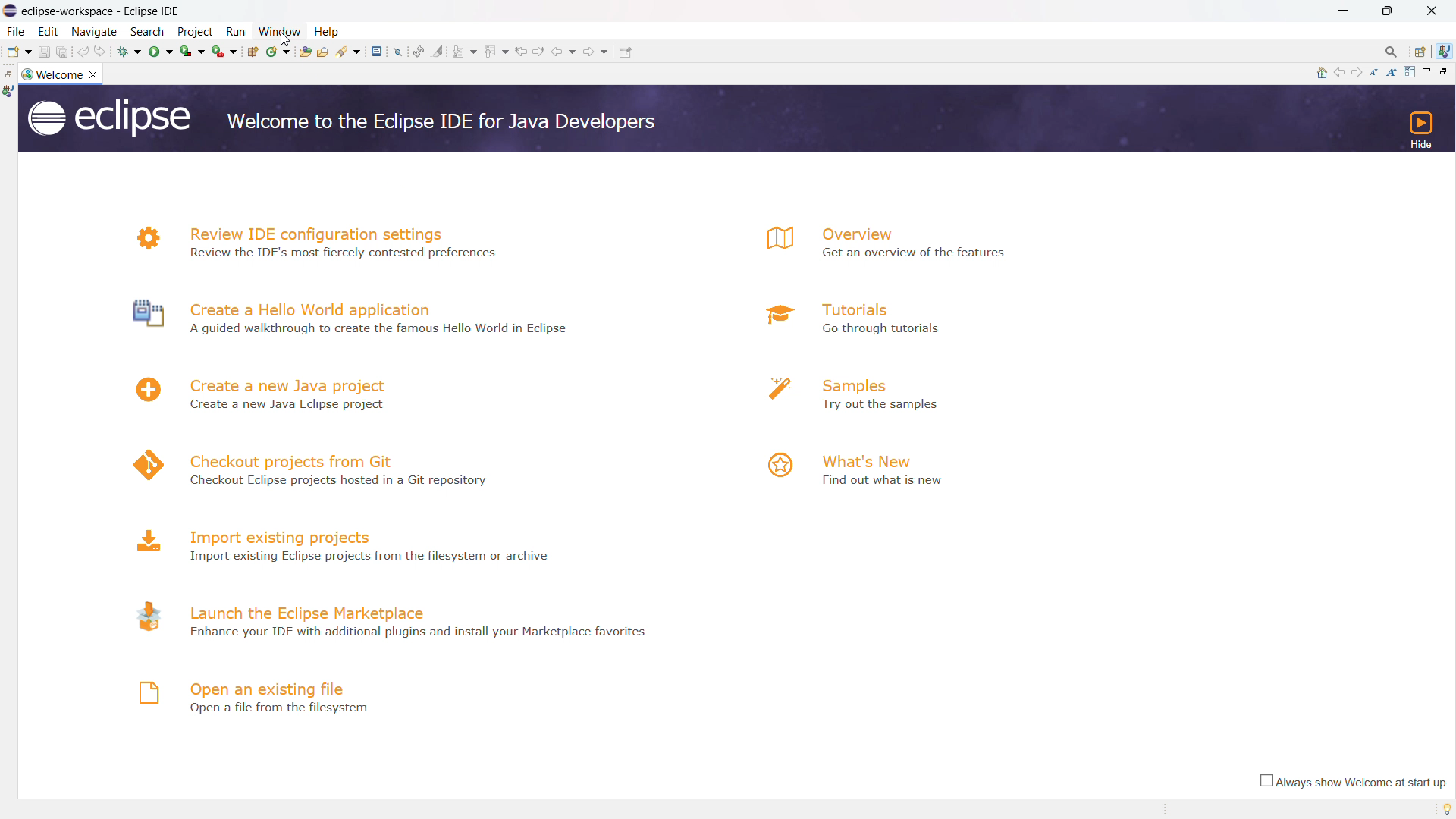  What do you see at coordinates (896, 328) in the screenshot?
I see `a Go through tutorials` at bounding box center [896, 328].